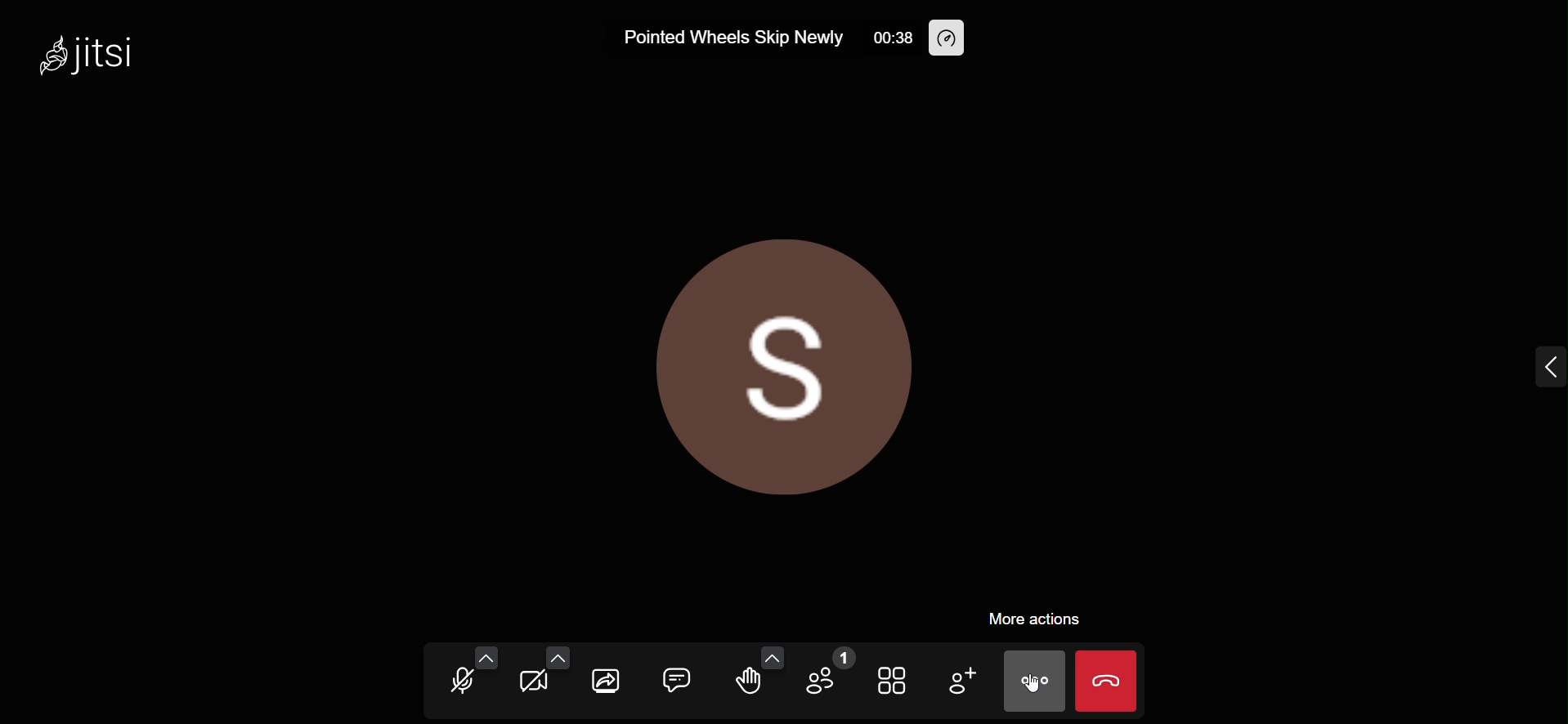  What do you see at coordinates (951, 38) in the screenshot?
I see `performance manager` at bounding box center [951, 38].